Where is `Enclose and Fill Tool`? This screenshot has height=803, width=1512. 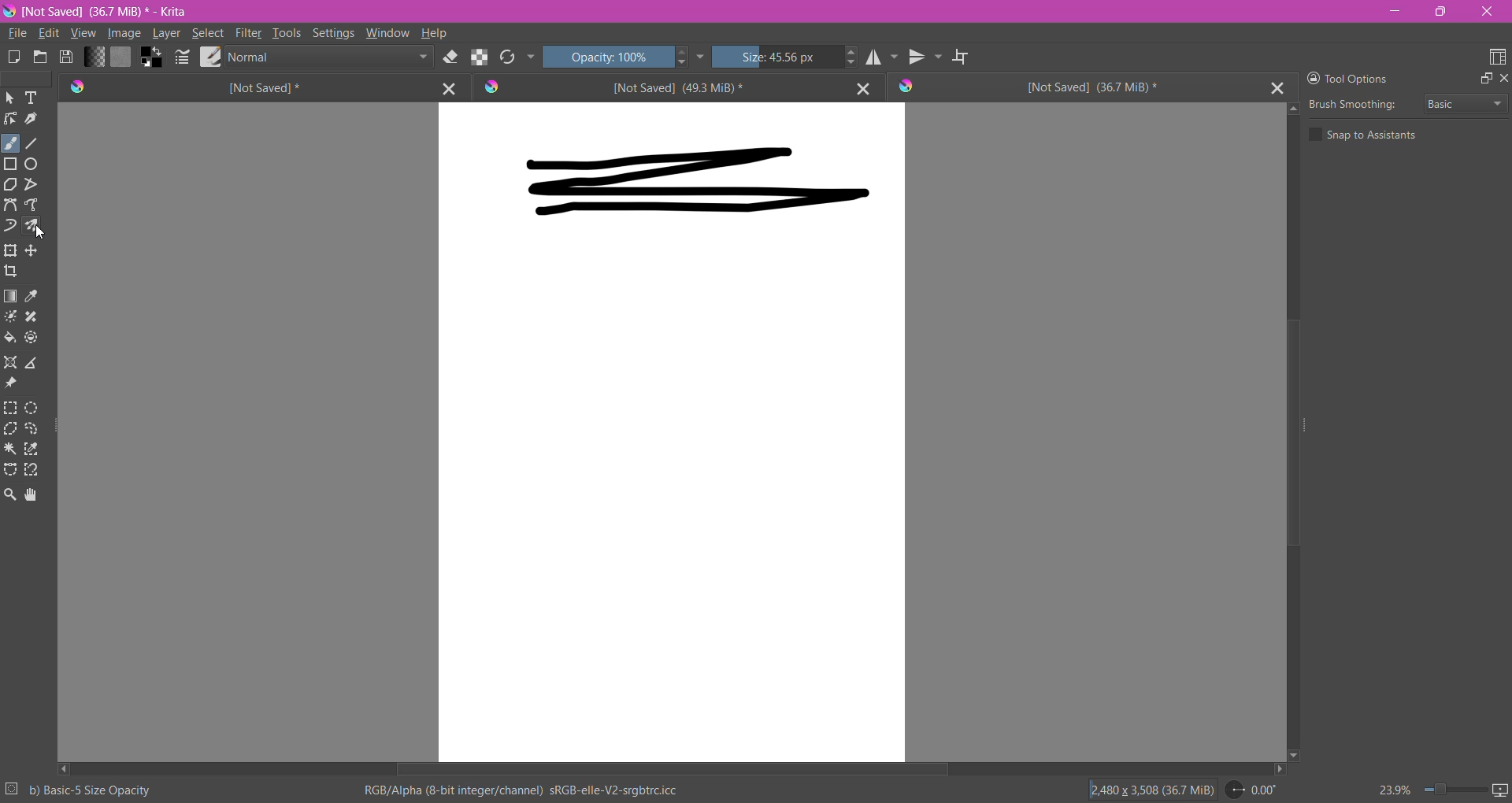 Enclose and Fill Tool is located at coordinates (33, 338).